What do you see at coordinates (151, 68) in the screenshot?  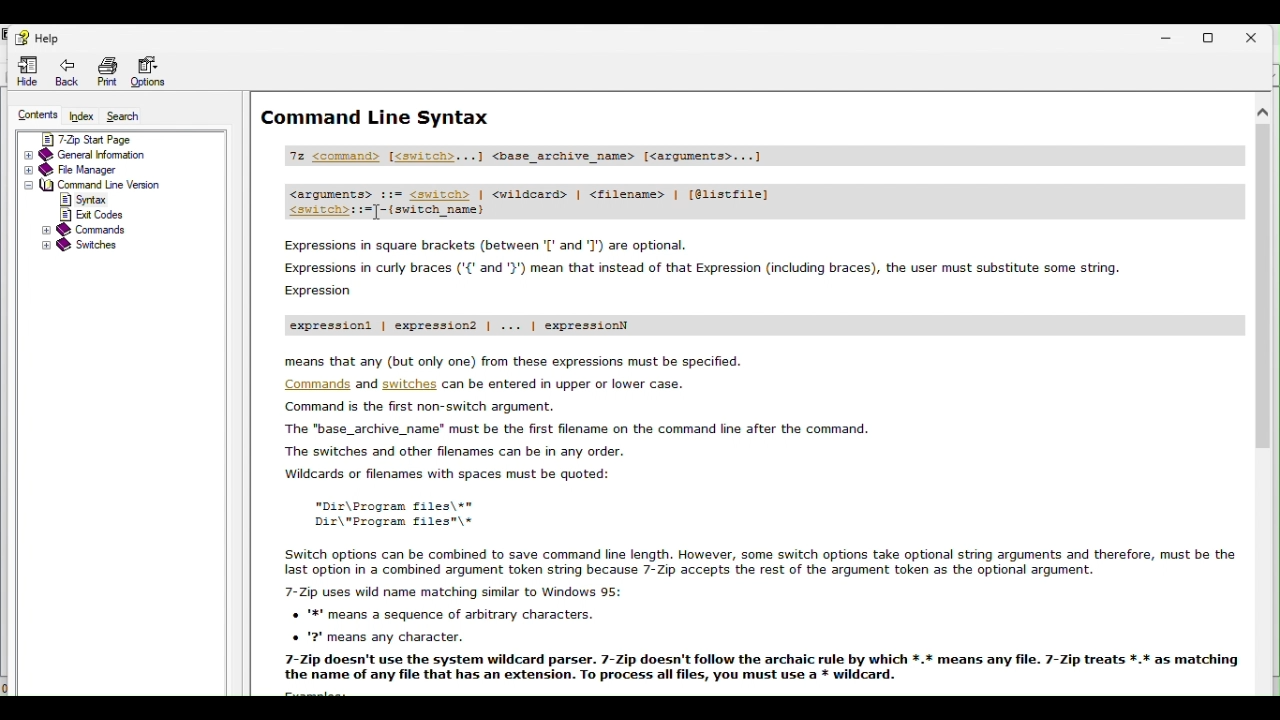 I see `options ` at bounding box center [151, 68].